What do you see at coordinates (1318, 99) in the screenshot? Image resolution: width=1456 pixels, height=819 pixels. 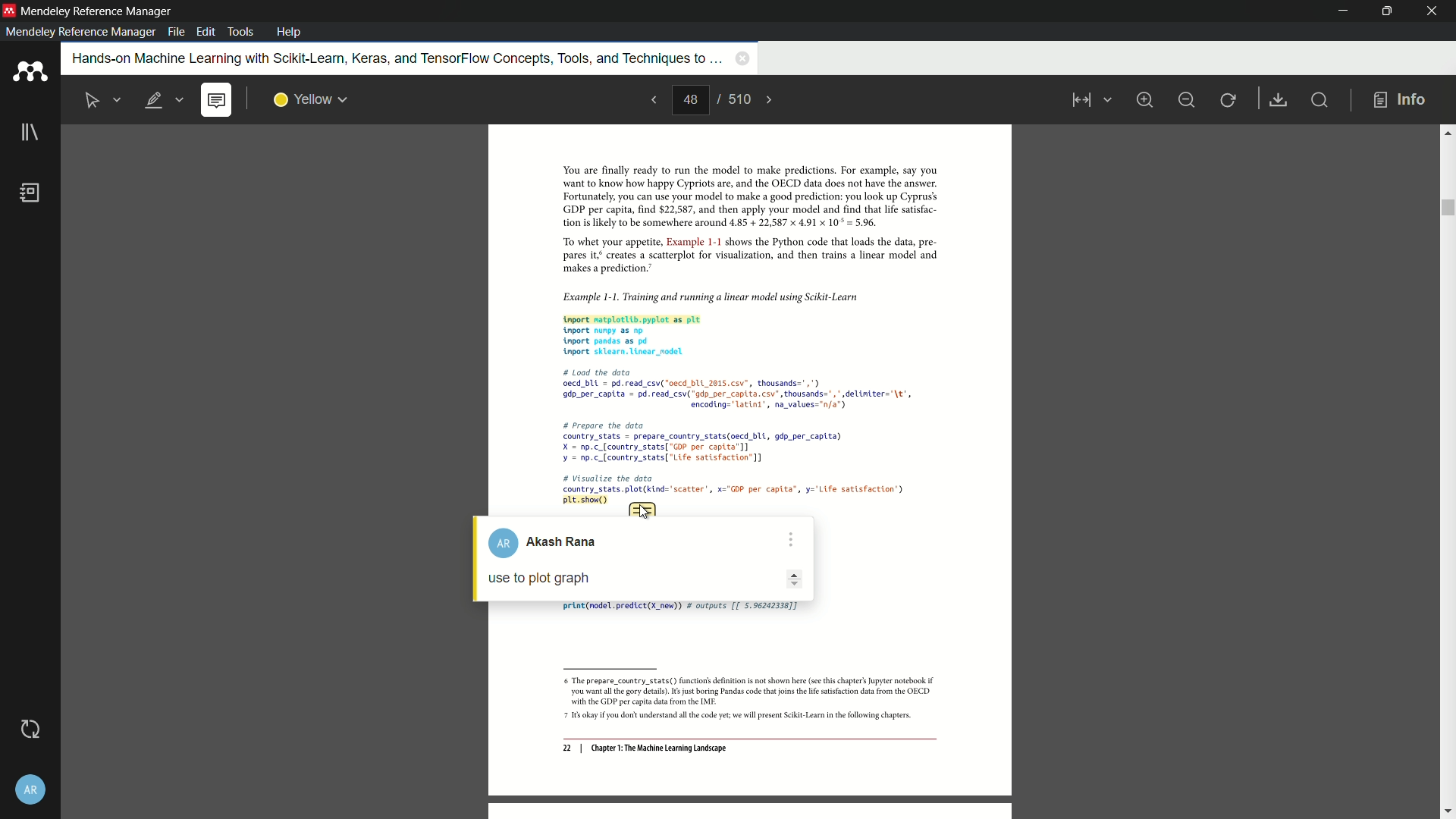 I see `find` at bounding box center [1318, 99].